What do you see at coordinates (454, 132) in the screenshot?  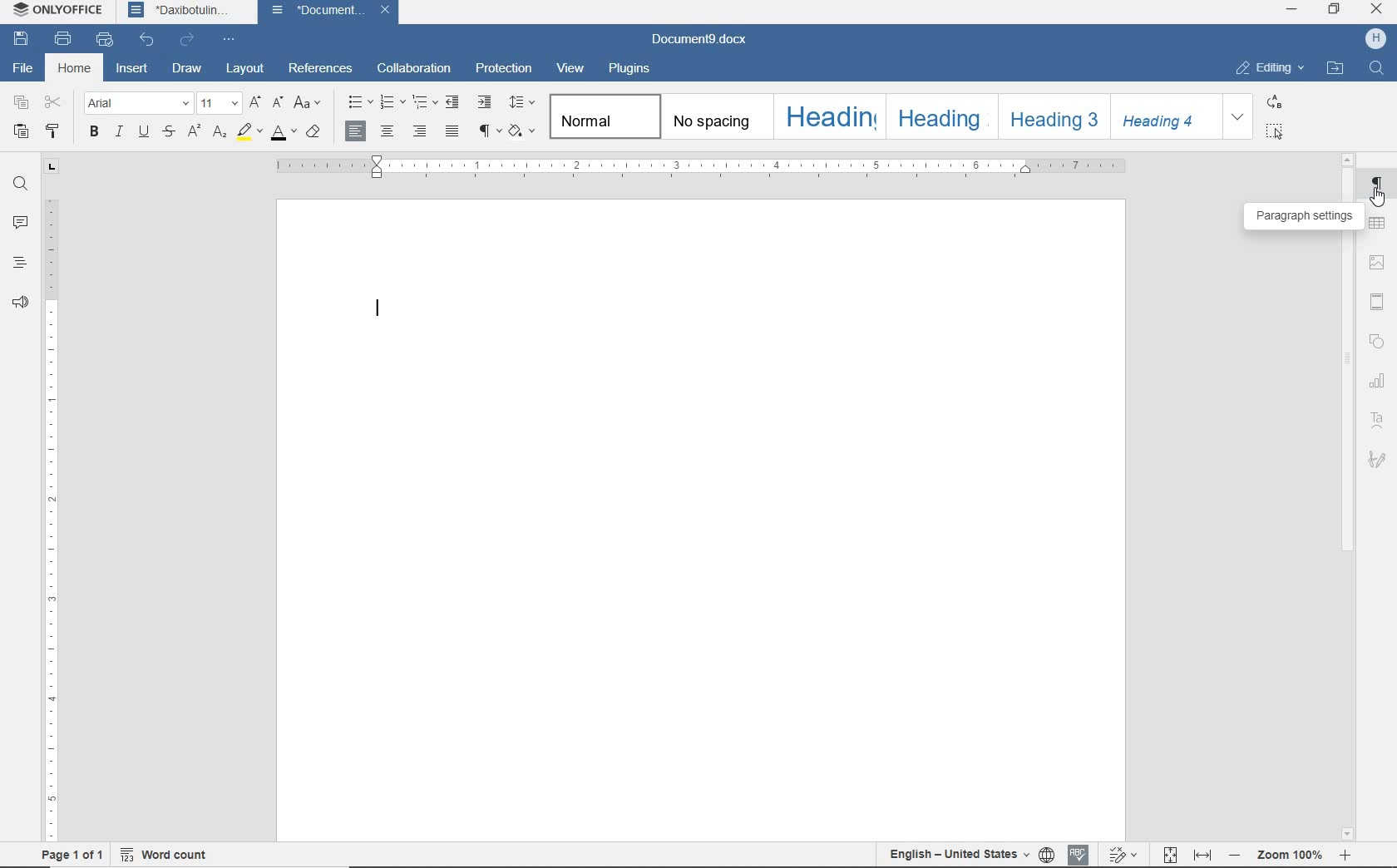 I see `justified` at bounding box center [454, 132].